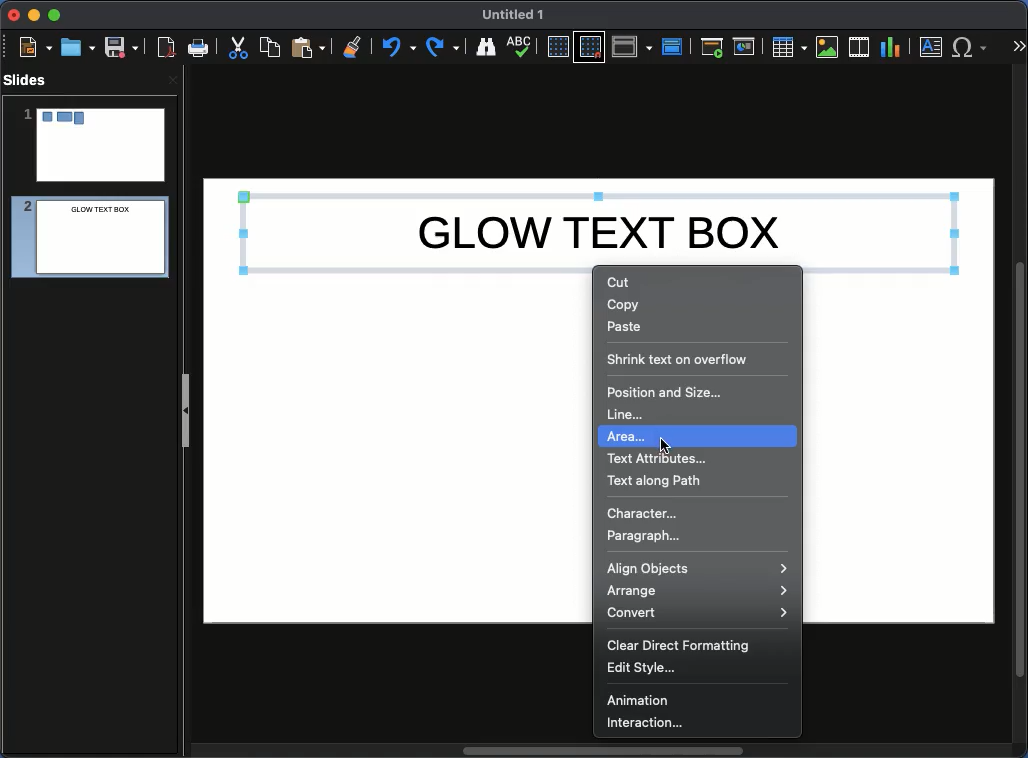 This screenshot has height=758, width=1028. I want to click on Copy, so click(270, 46).